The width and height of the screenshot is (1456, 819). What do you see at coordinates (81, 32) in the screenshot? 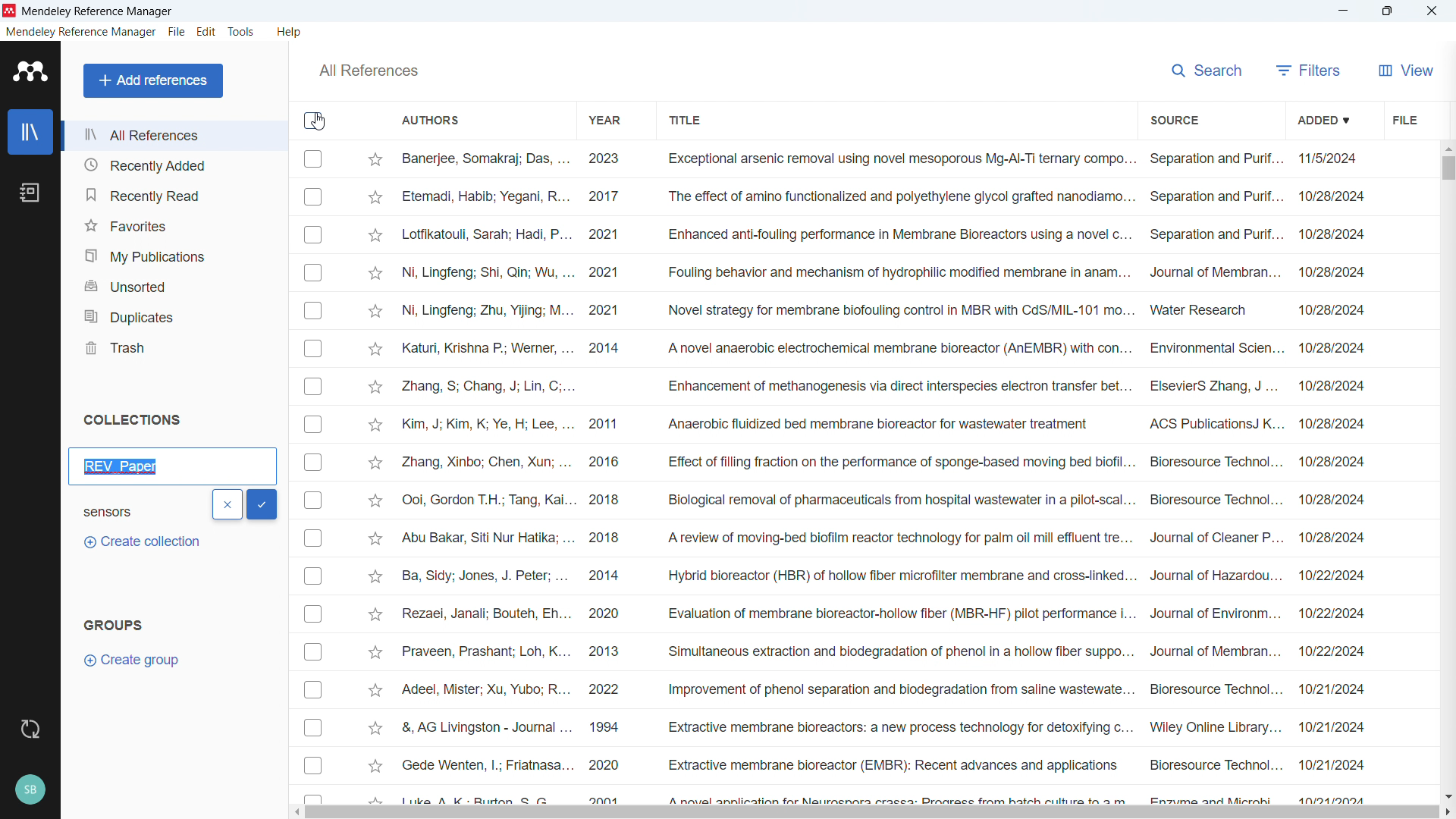
I see `Mendeley reference manager ` at bounding box center [81, 32].